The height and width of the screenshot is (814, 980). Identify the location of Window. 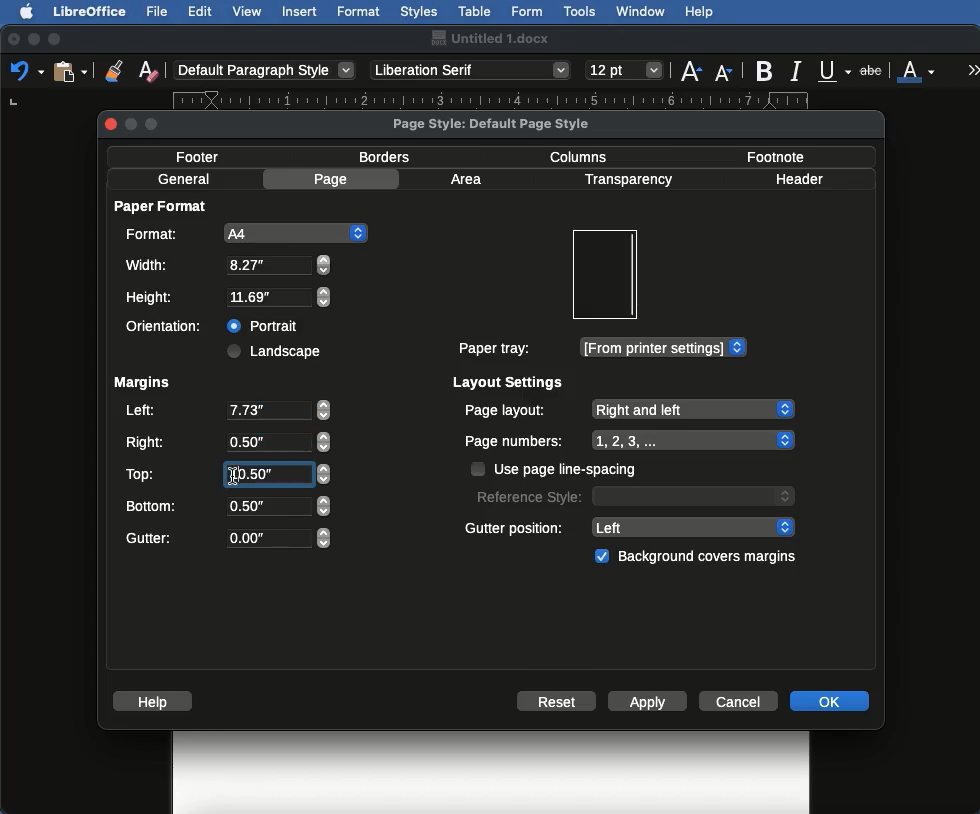
(641, 12).